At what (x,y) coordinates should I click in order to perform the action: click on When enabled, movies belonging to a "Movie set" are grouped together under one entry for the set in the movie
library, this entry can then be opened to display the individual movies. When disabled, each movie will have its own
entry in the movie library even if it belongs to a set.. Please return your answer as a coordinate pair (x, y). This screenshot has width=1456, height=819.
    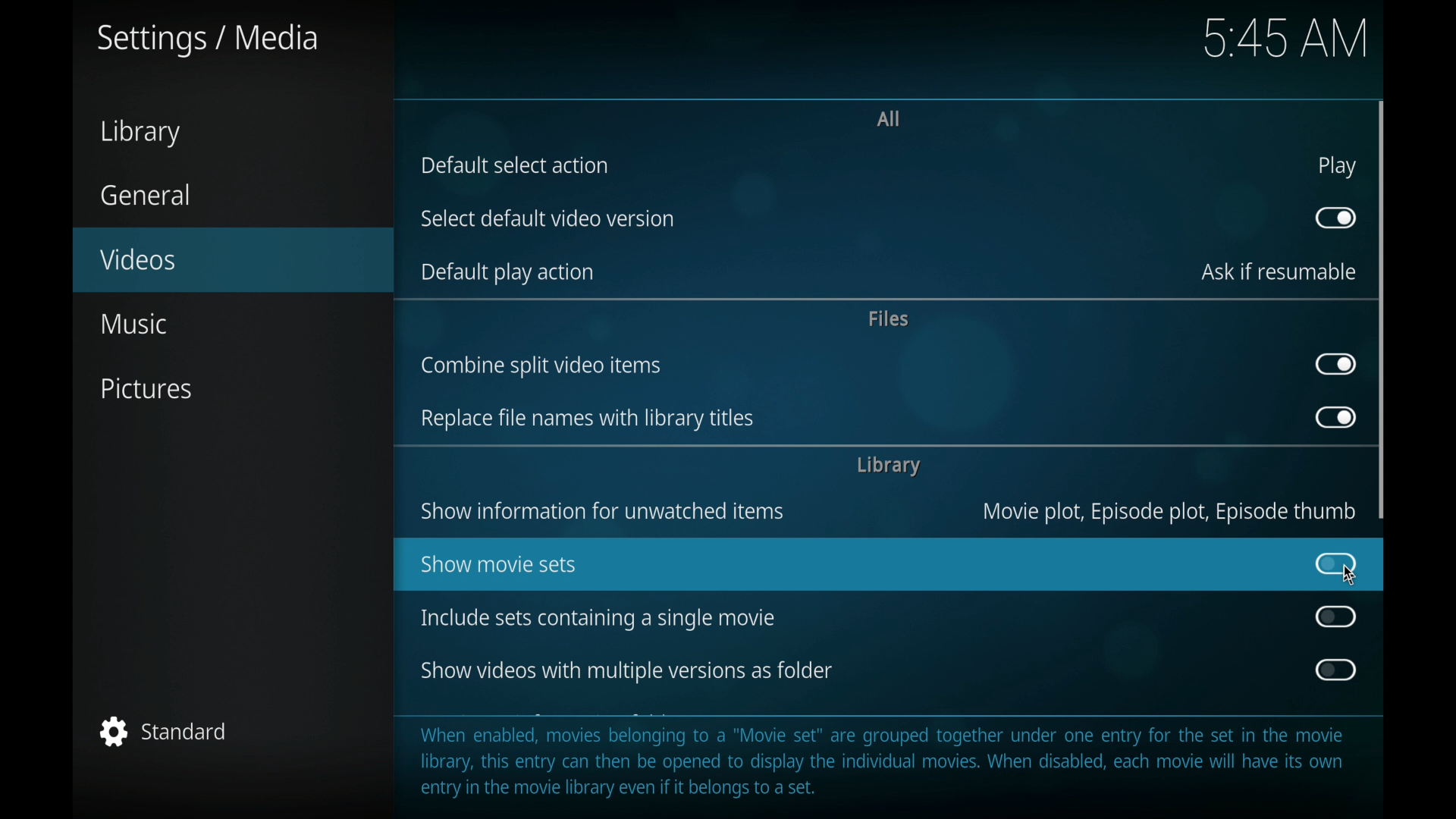
    Looking at the image, I should click on (890, 762).